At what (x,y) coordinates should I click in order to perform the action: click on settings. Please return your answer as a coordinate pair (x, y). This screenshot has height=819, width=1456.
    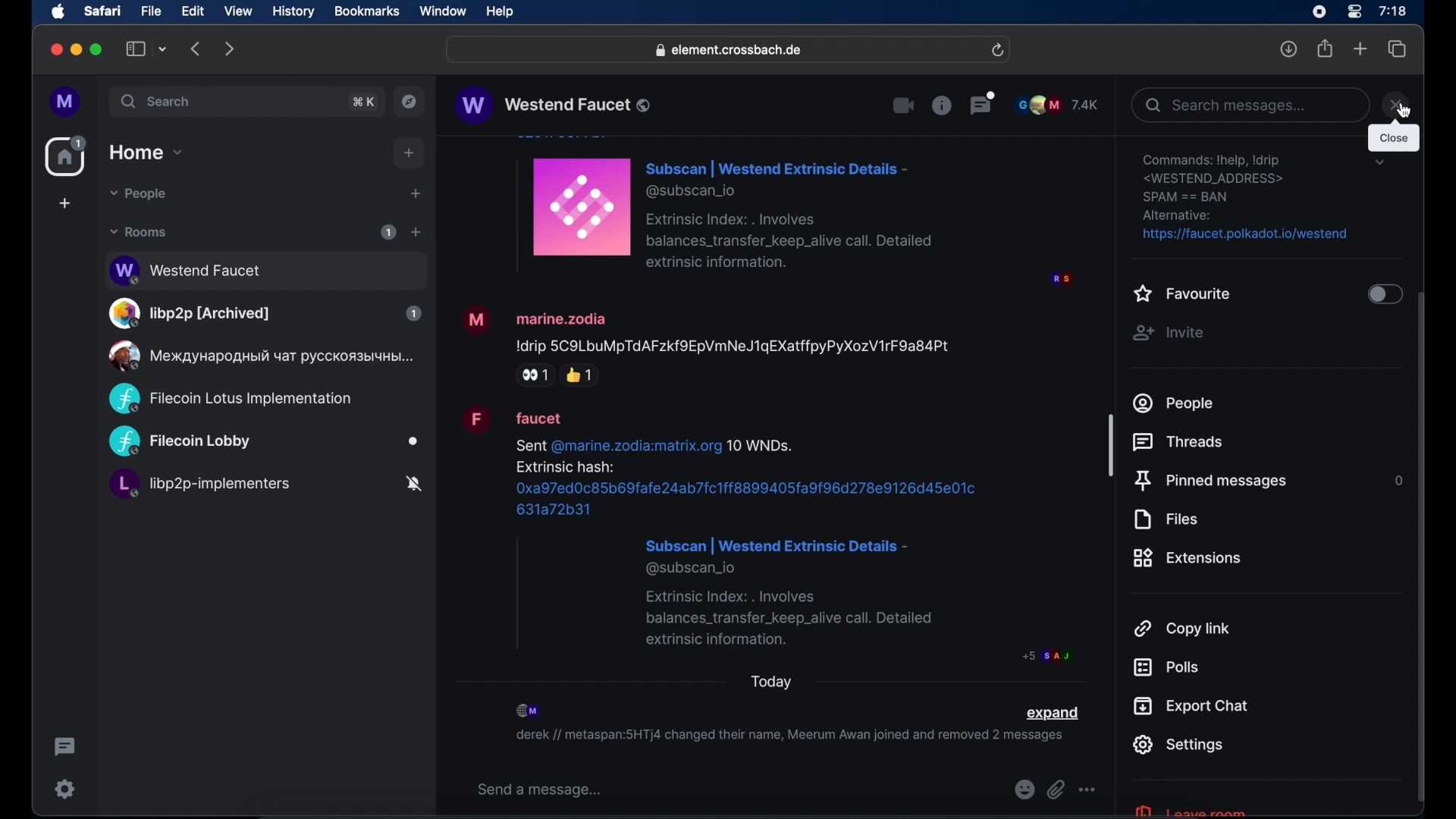
    Looking at the image, I should click on (66, 789).